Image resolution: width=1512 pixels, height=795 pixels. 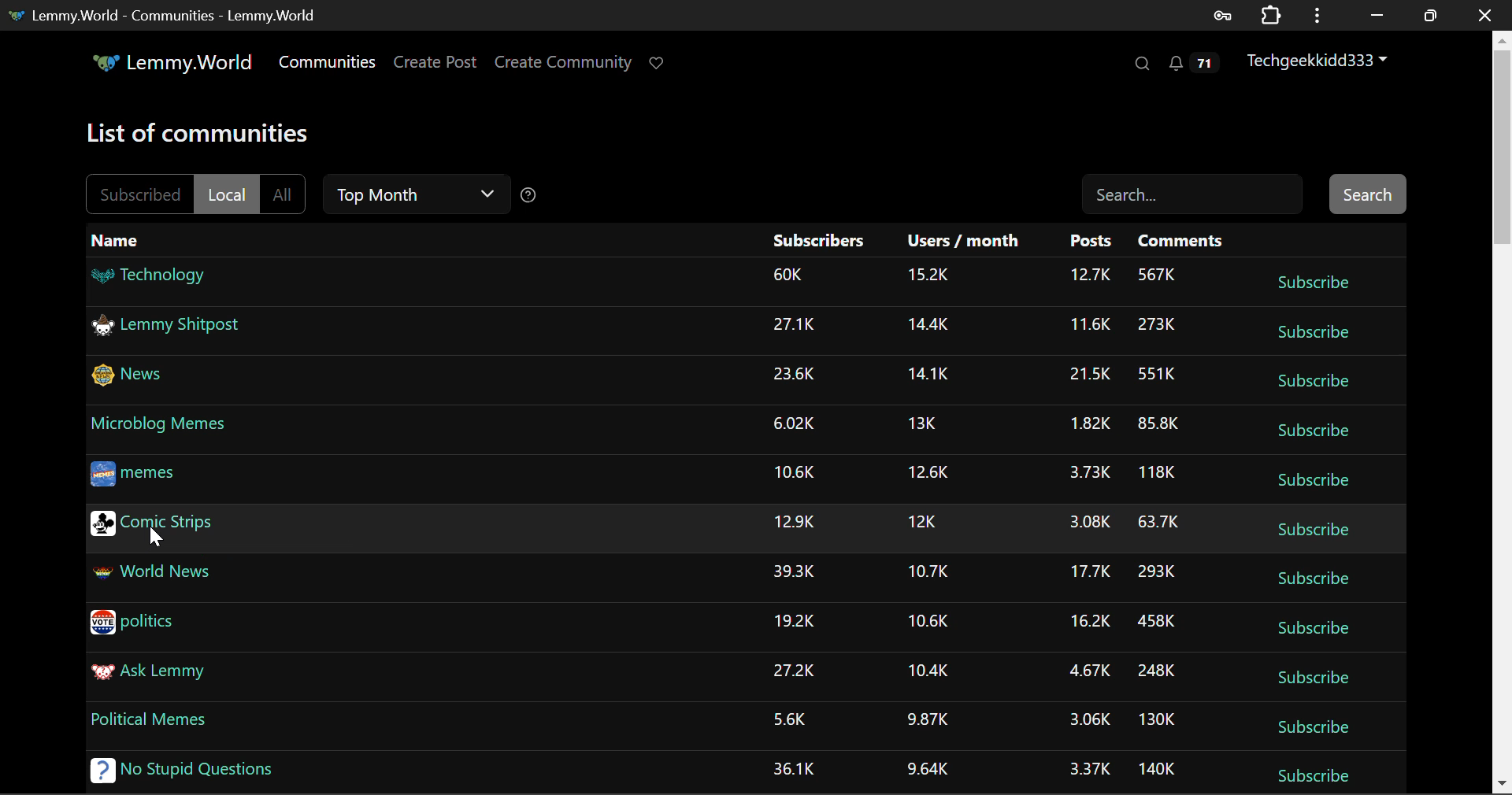 I want to click on Subscribe, so click(x=1310, y=774).